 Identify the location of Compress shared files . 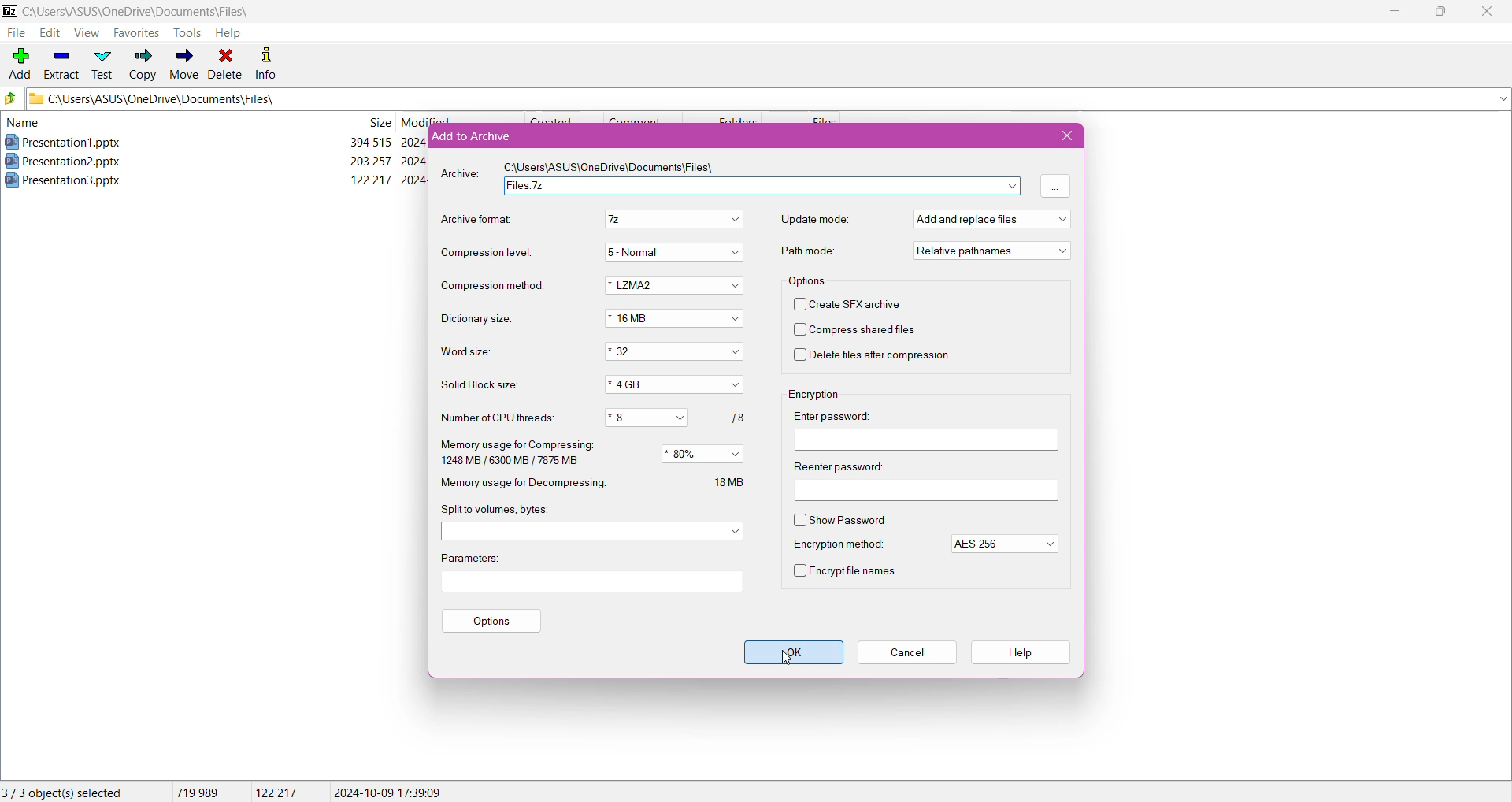
(855, 331).